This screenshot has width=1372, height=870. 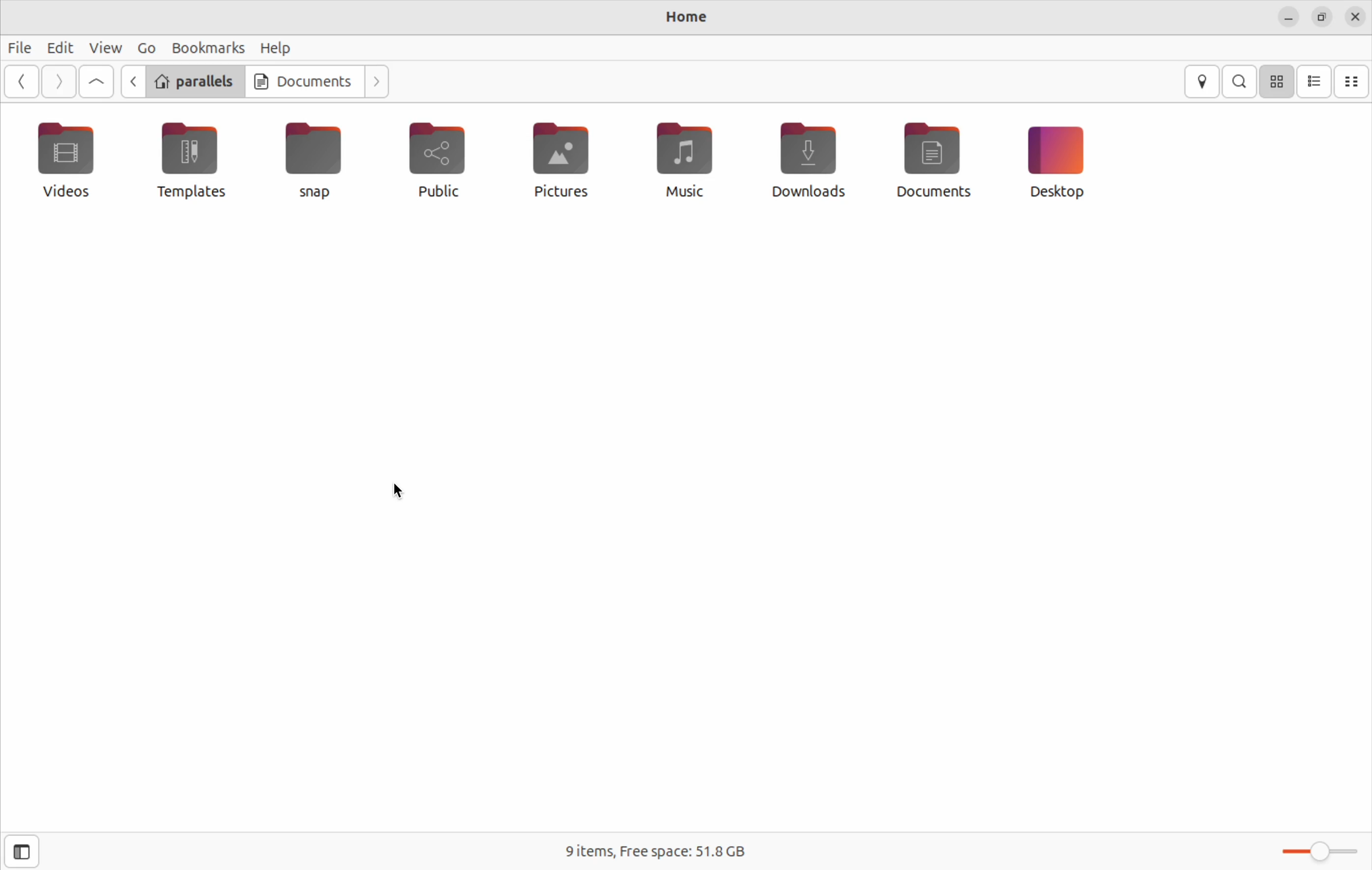 What do you see at coordinates (1240, 80) in the screenshot?
I see `search bar` at bounding box center [1240, 80].